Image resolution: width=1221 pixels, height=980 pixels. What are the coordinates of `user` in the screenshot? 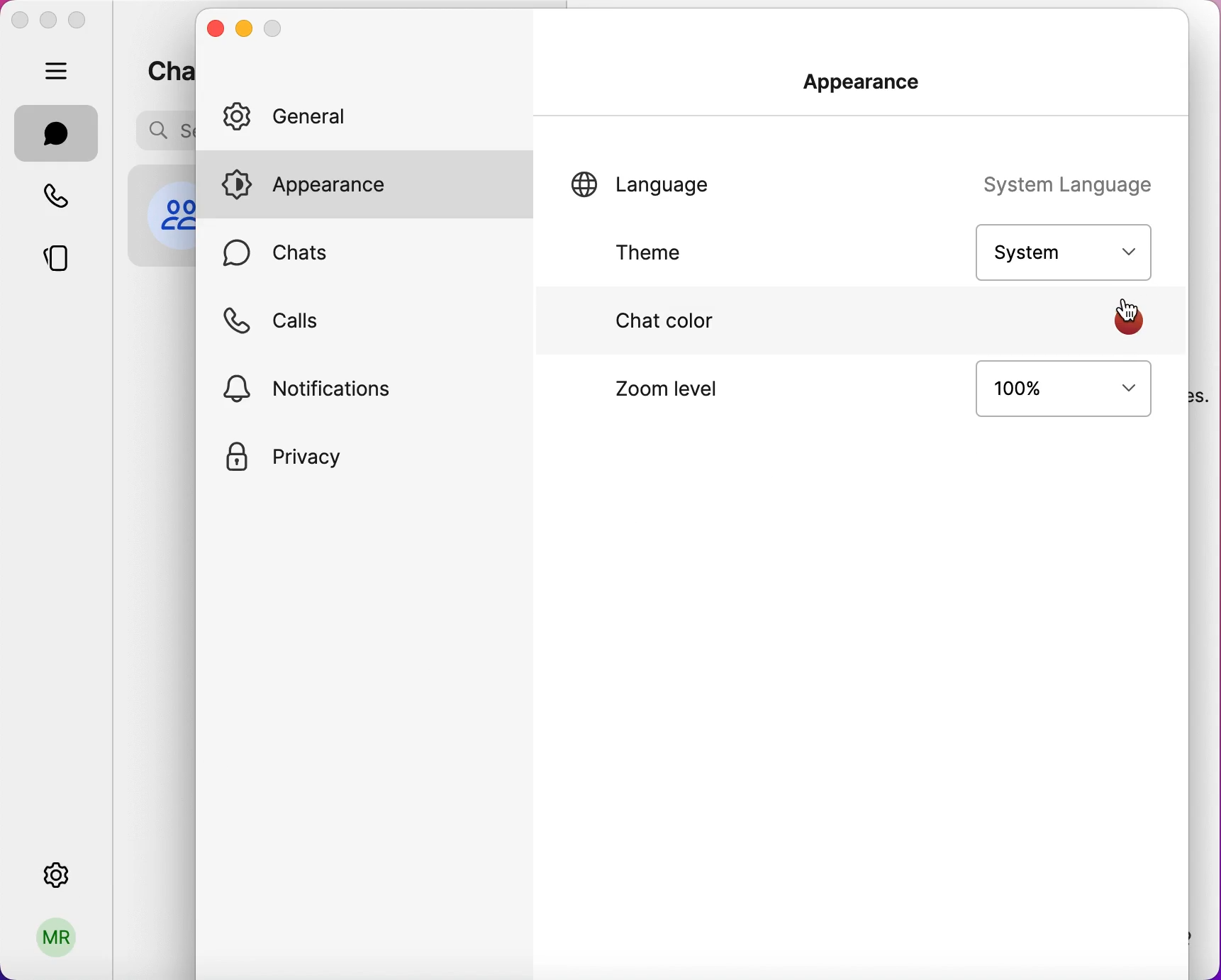 It's located at (57, 942).